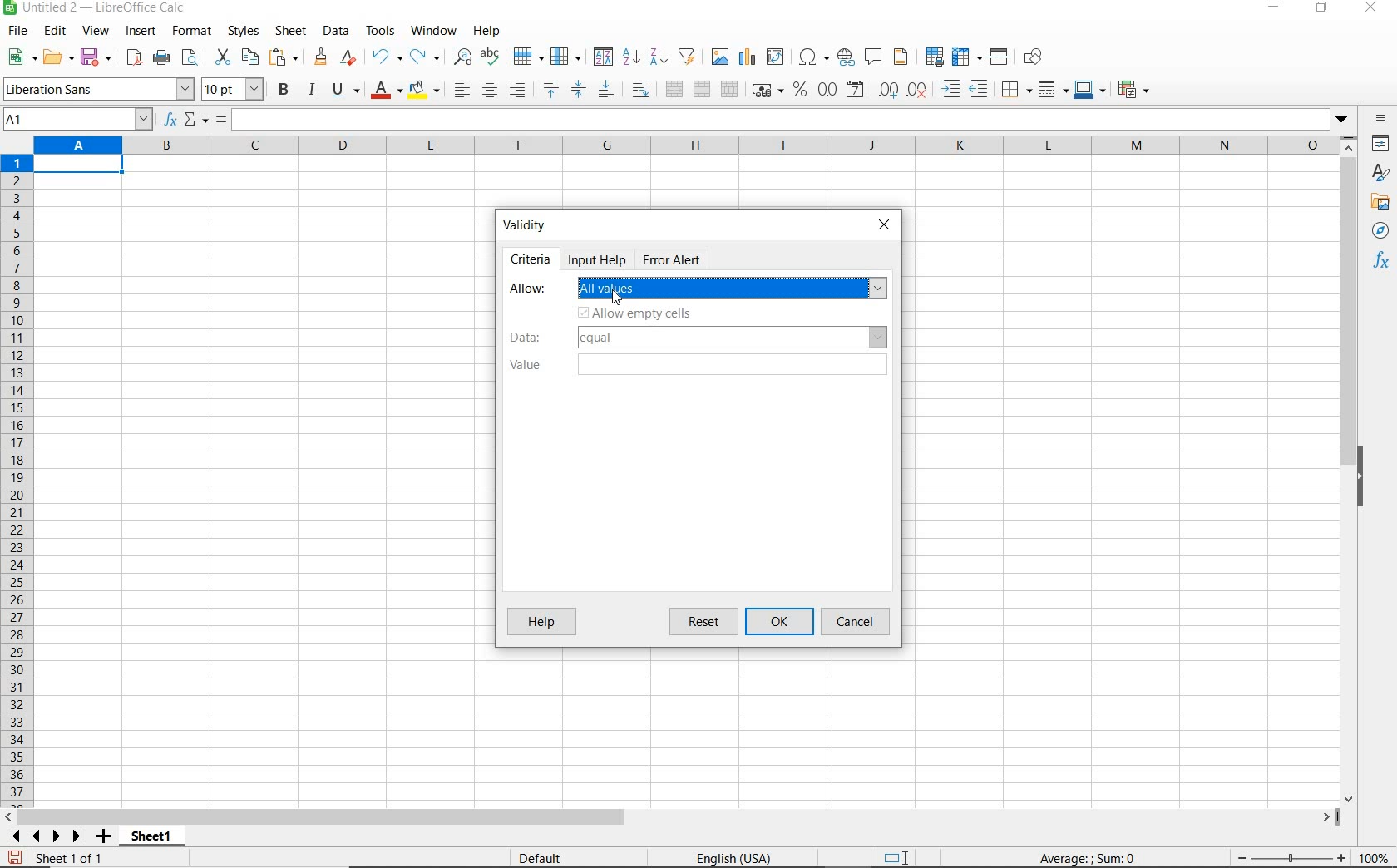 This screenshot has width=1397, height=868. I want to click on font size, so click(233, 89).